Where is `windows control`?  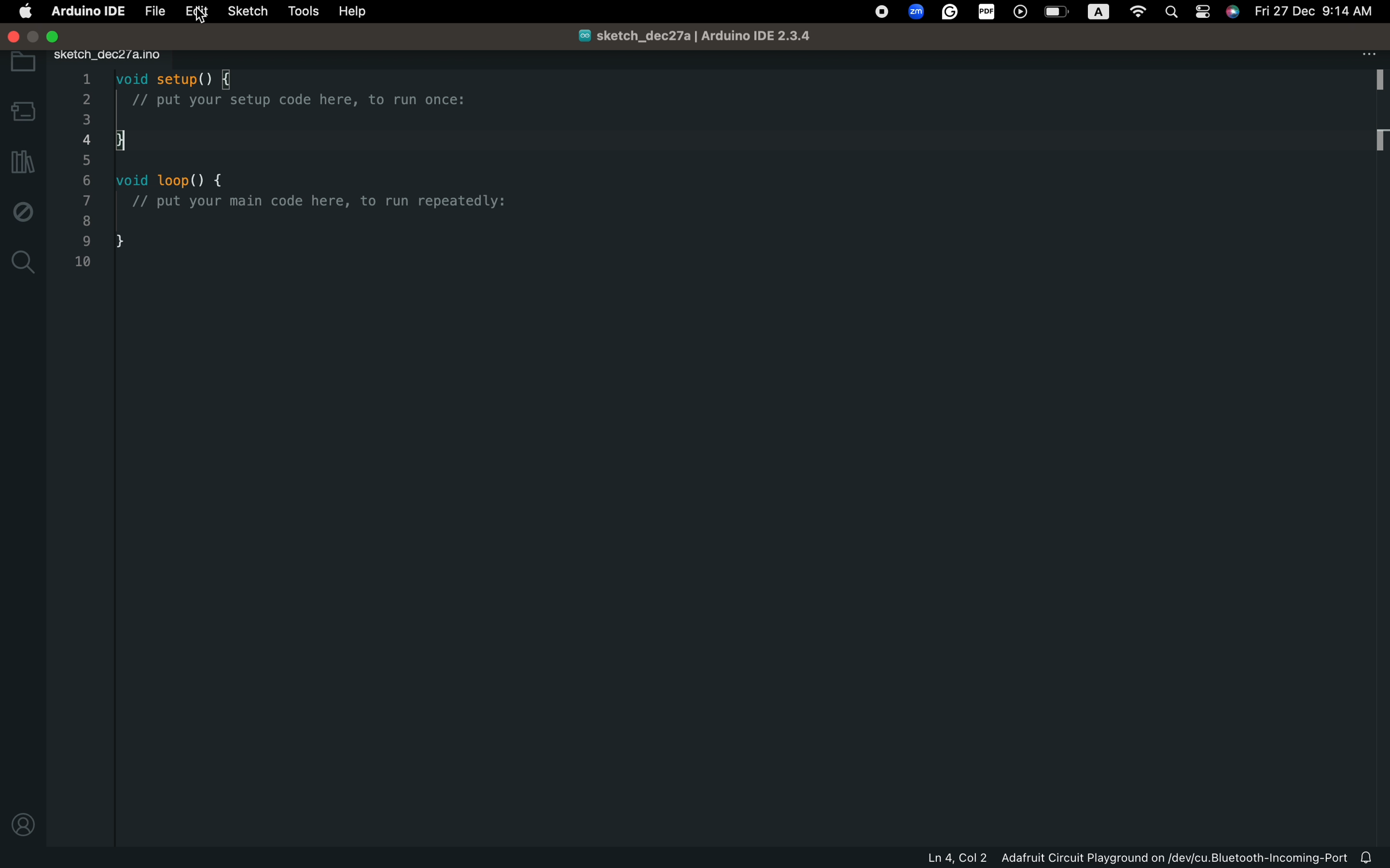 windows control is located at coordinates (33, 36).